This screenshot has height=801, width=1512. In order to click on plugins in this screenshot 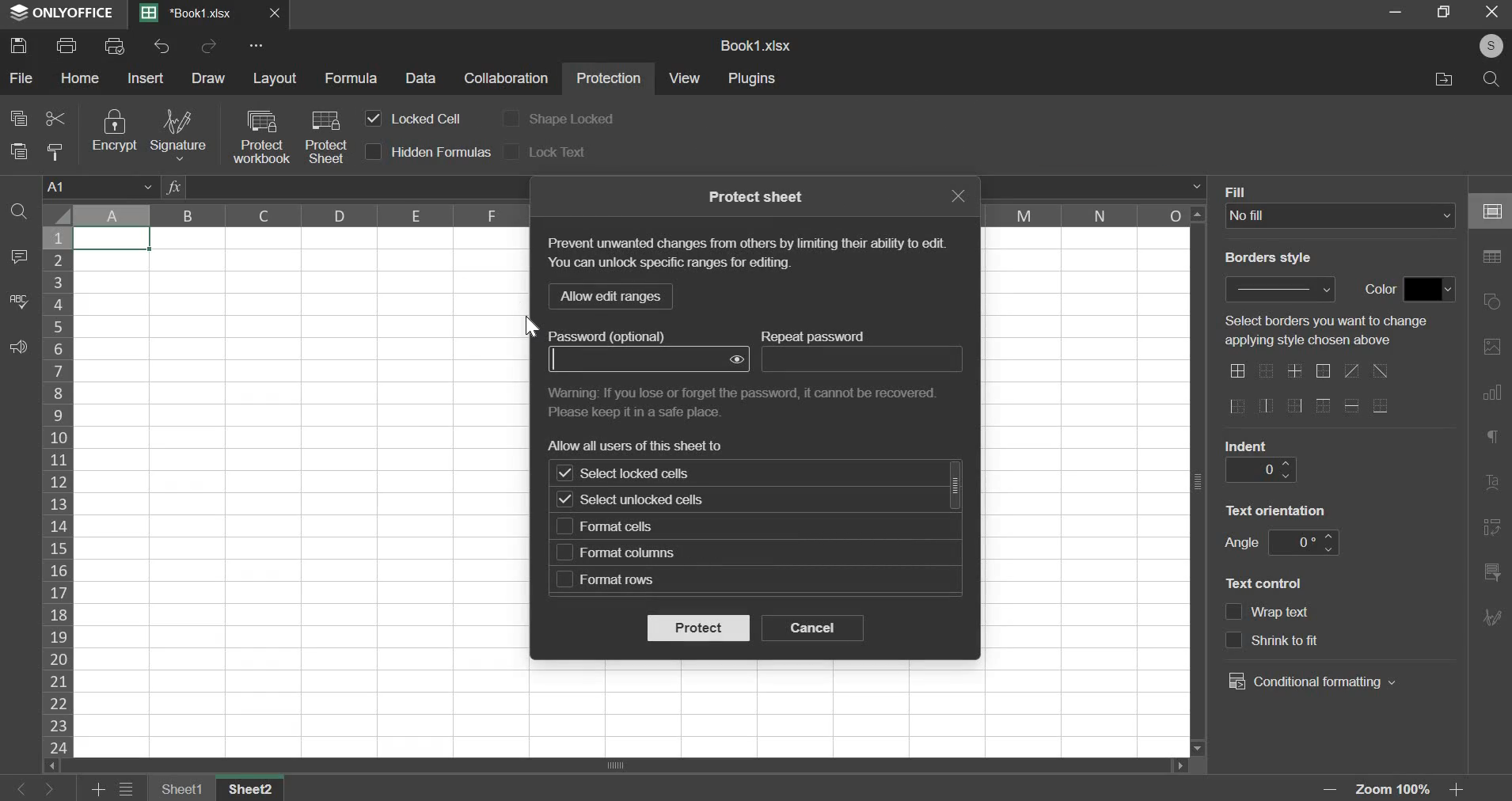, I will do `click(754, 79)`.